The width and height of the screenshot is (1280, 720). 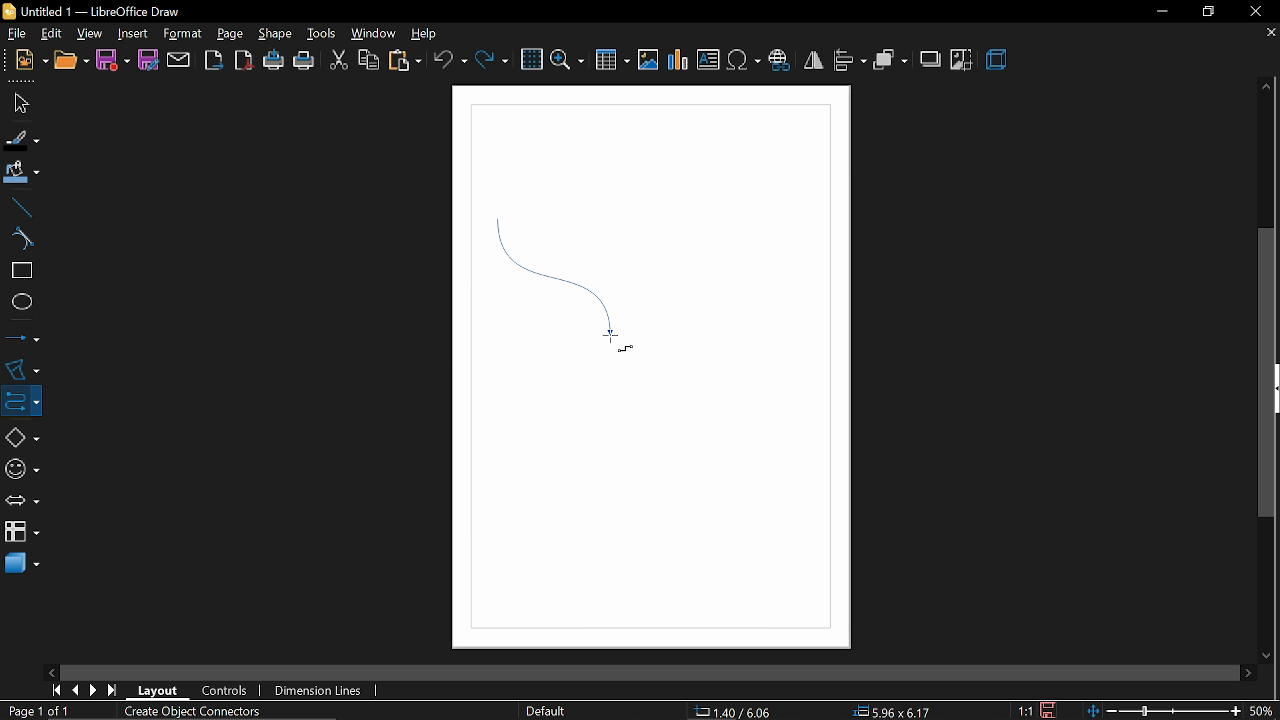 What do you see at coordinates (1270, 37) in the screenshot?
I see `close current tab` at bounding box center [1270, 37].